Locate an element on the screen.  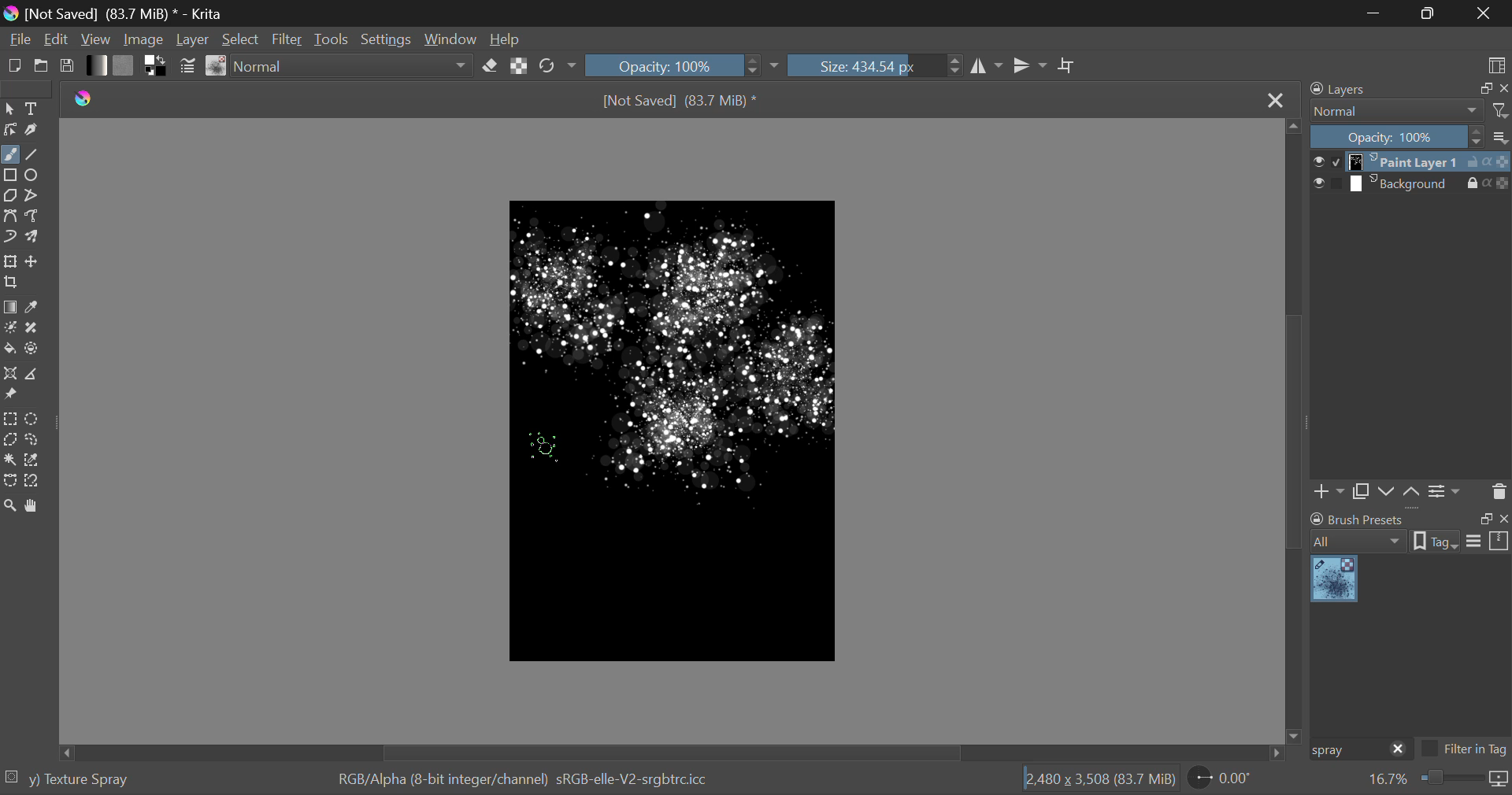
zoom value is located at coordinates (1388, 780).